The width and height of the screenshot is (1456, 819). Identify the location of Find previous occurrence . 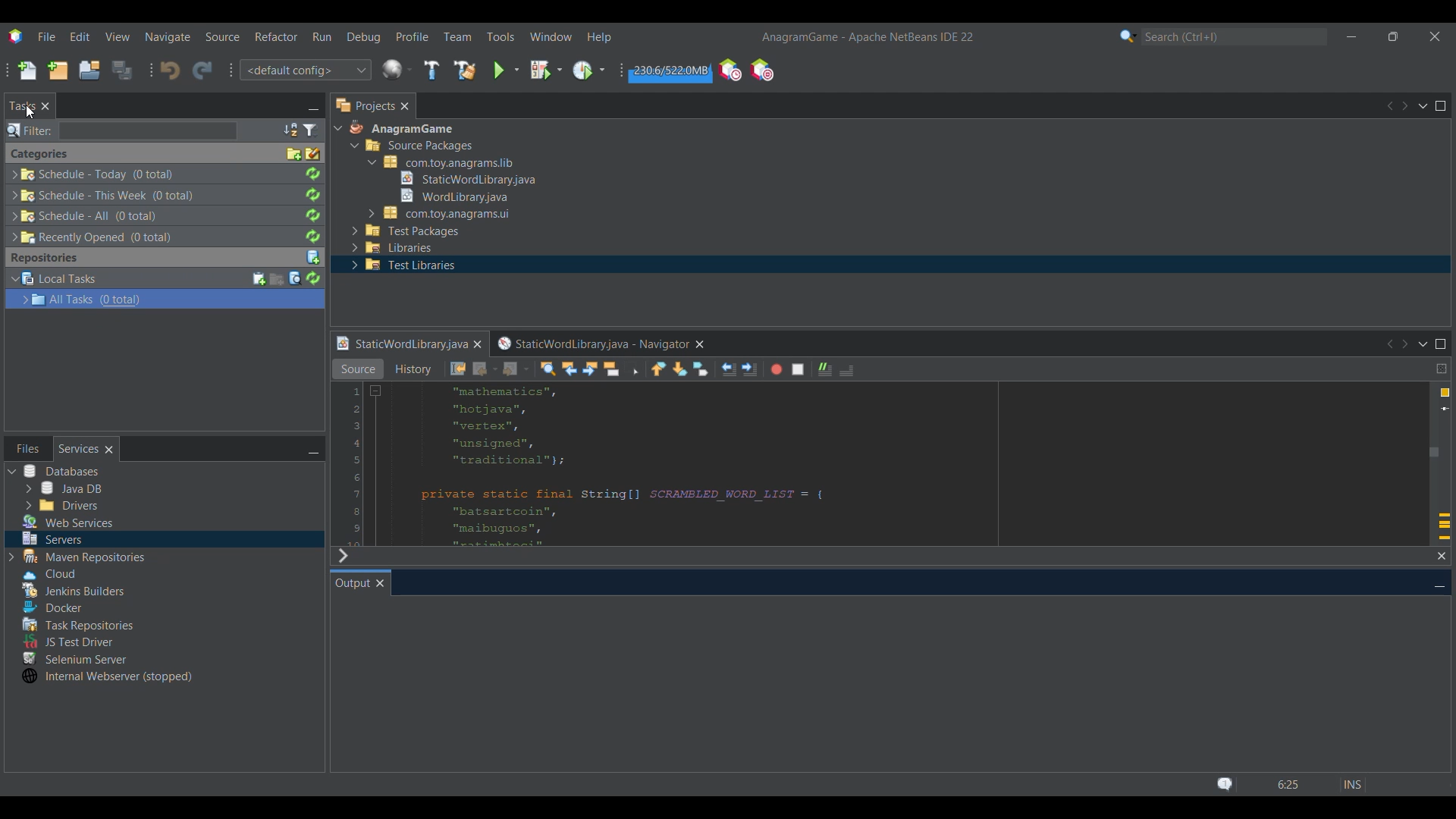
(569, 369).